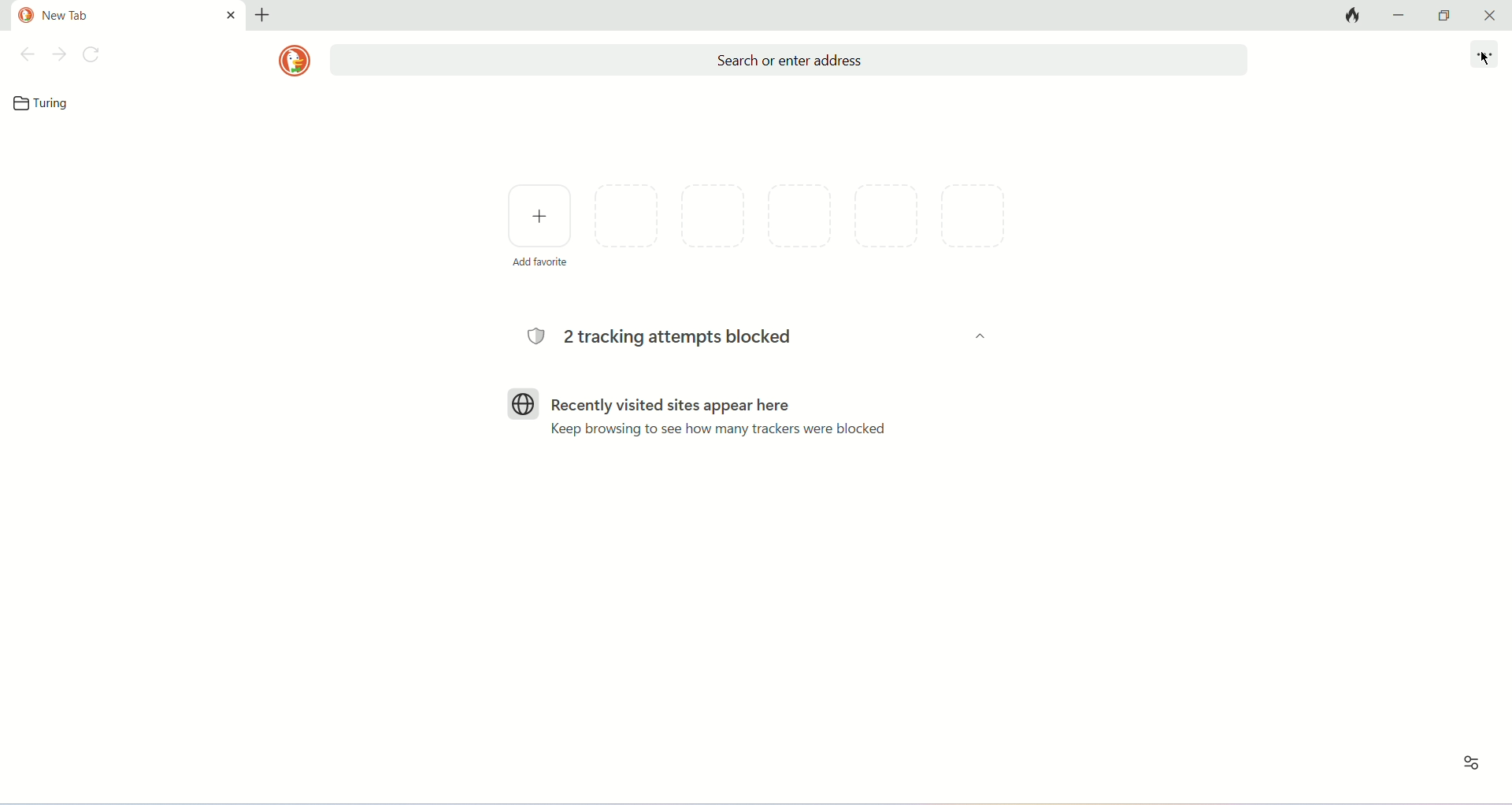 The image size is (1512, 805). Describe the element at coordinates (1487, 55) in the screenshot. I see `more options` at that location.